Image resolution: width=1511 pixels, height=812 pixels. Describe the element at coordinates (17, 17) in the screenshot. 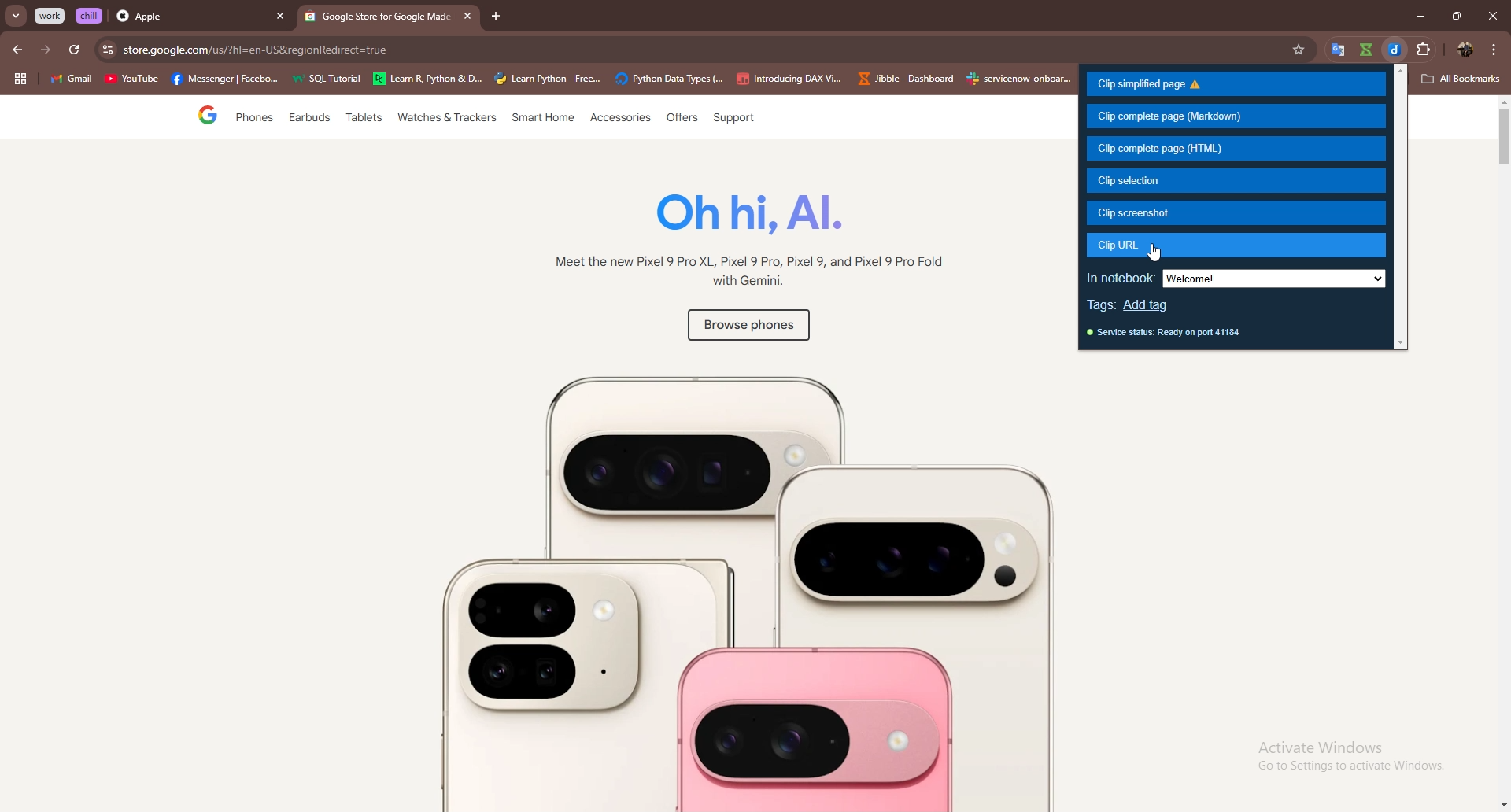

I see `search tabs` at that location.